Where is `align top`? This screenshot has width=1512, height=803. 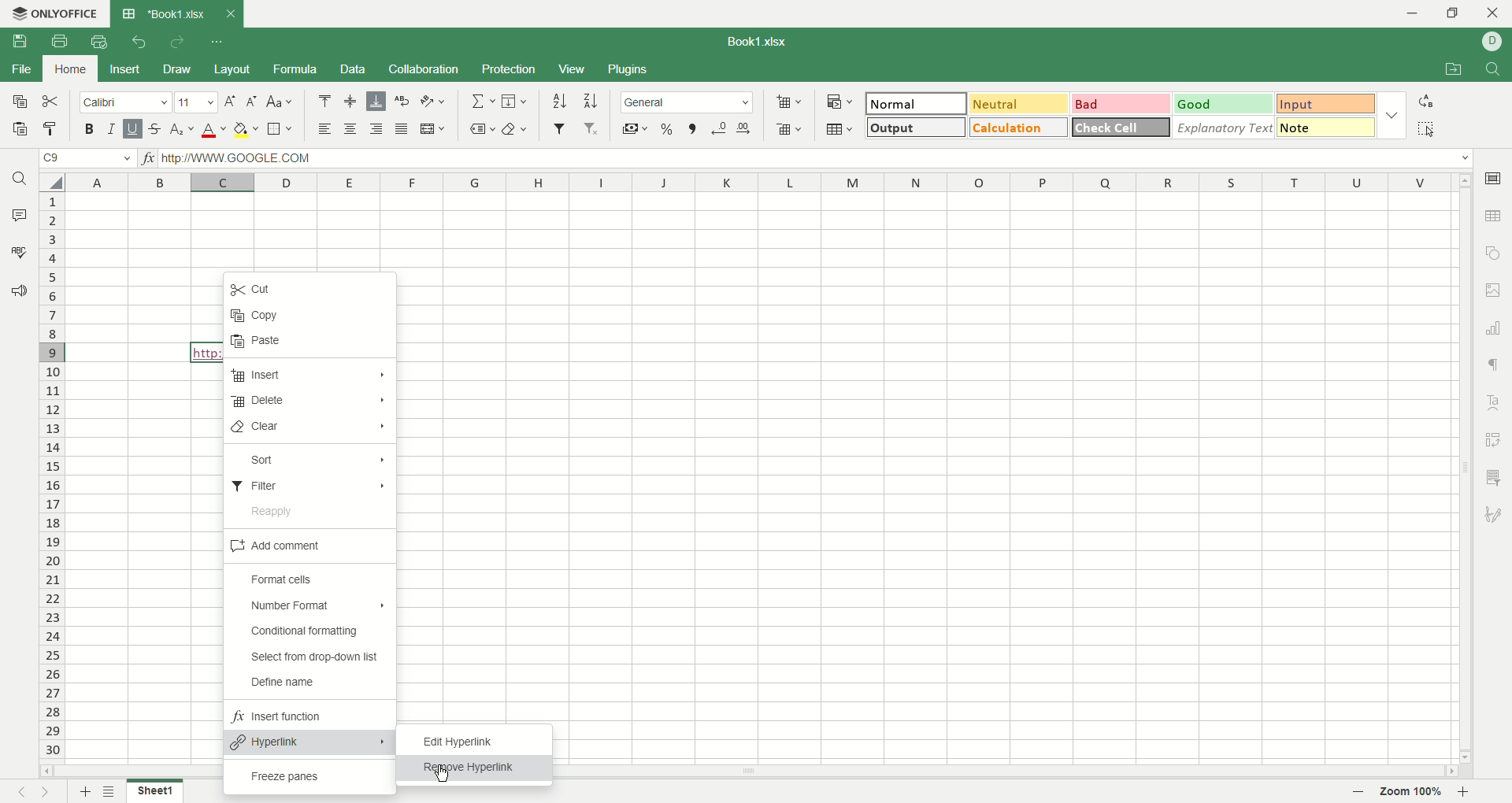
align top is located at coordinates (323, 100).